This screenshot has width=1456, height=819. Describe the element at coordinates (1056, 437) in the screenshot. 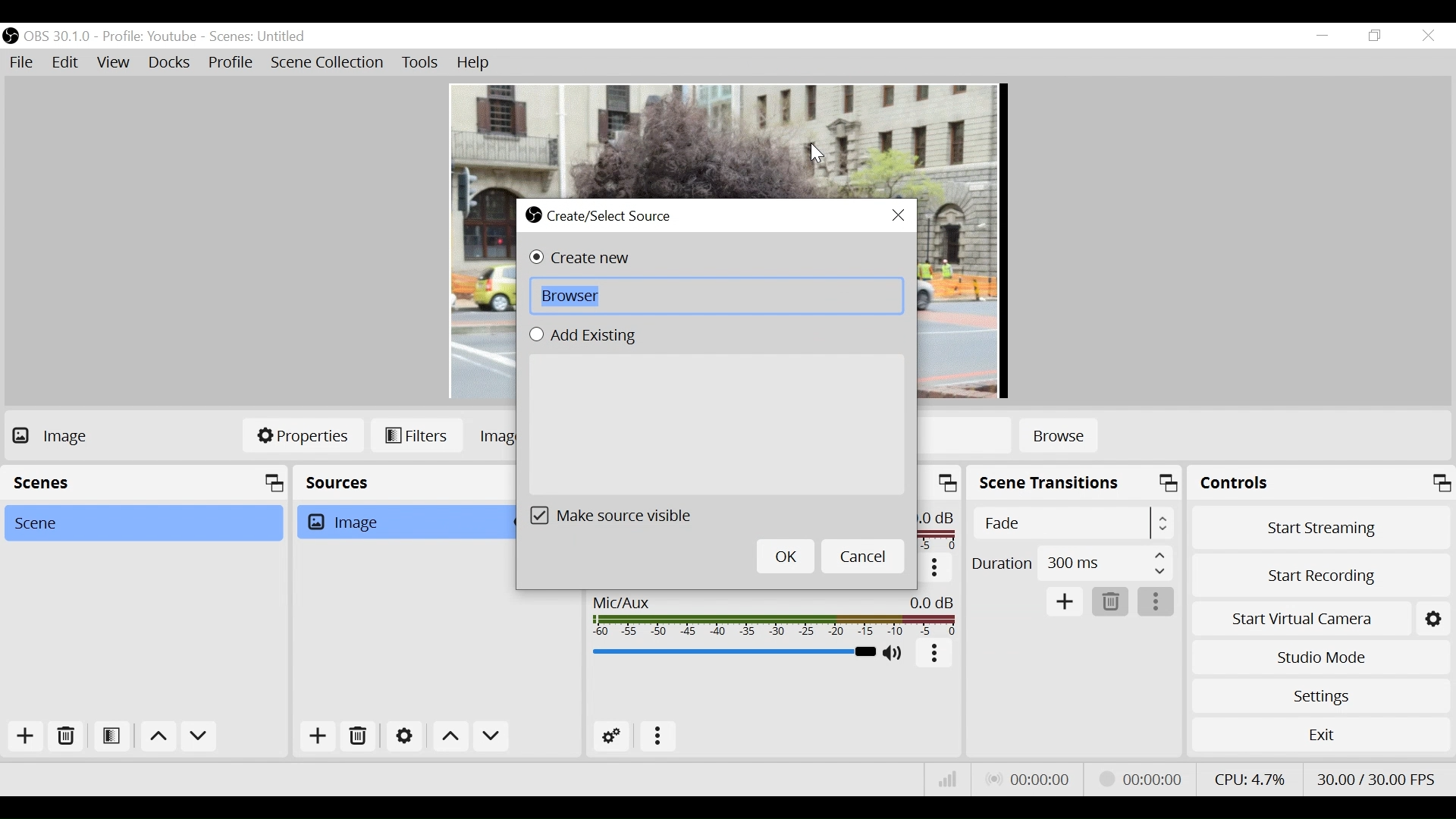

I see `Browse ` at that location.